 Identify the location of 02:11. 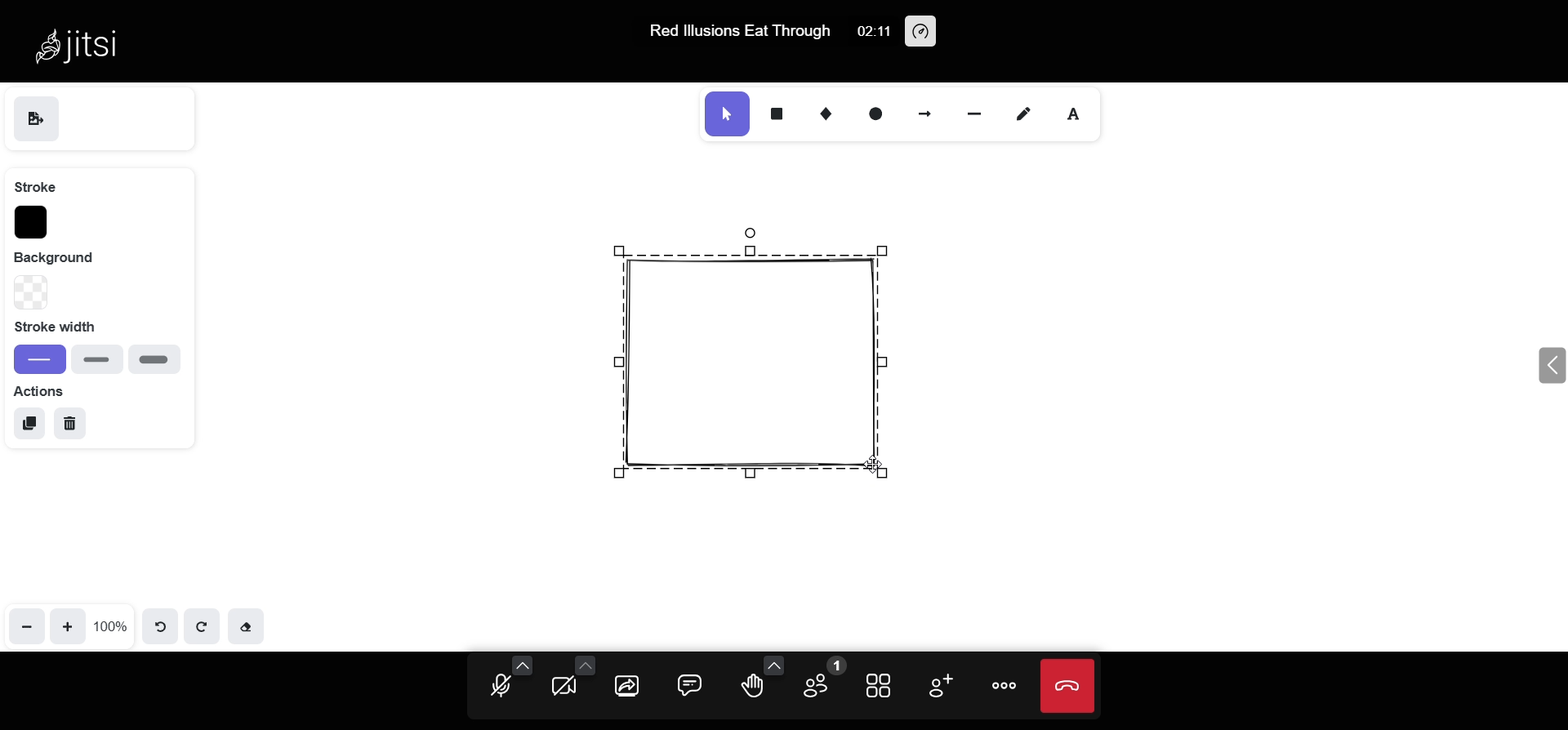
(870, 31).